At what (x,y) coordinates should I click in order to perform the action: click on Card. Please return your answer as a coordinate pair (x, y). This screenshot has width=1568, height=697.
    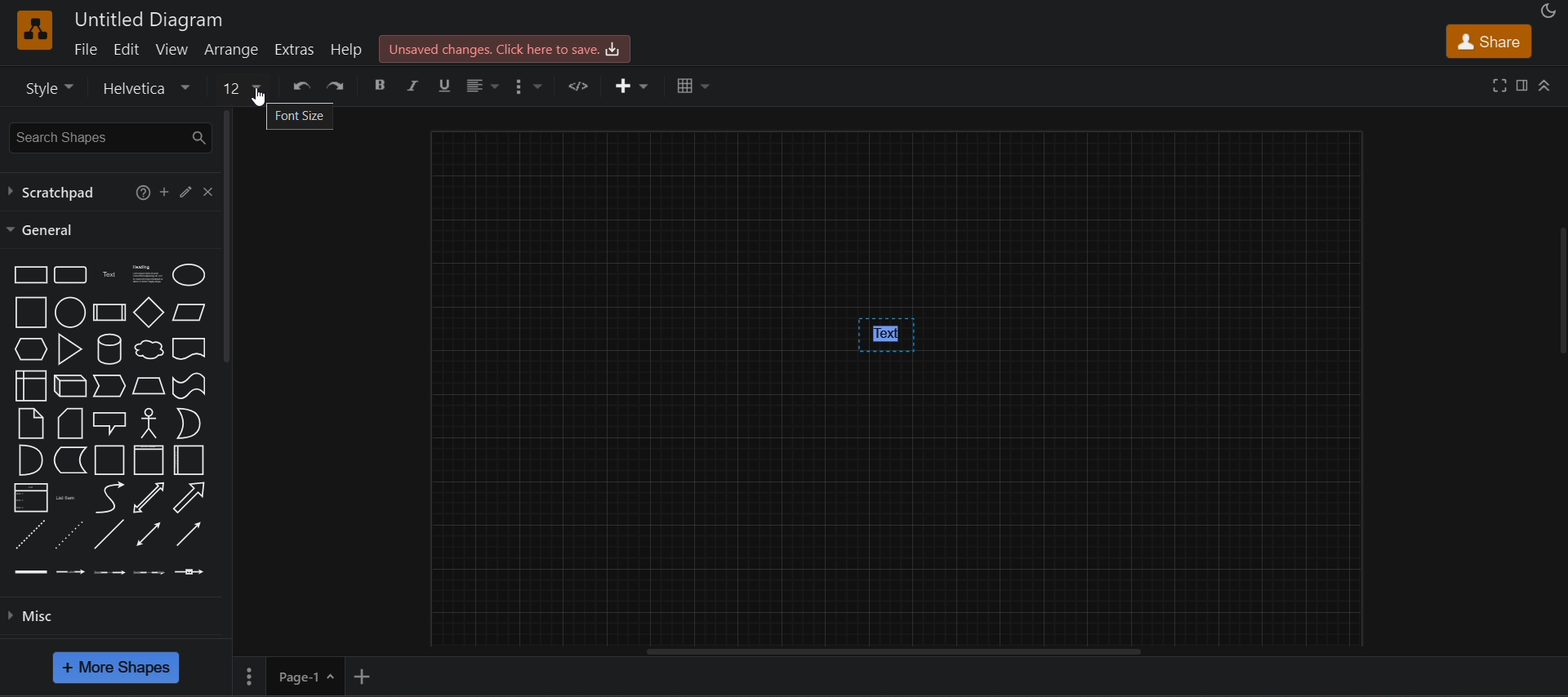
    Looking at the image, I should click on (70, 424).